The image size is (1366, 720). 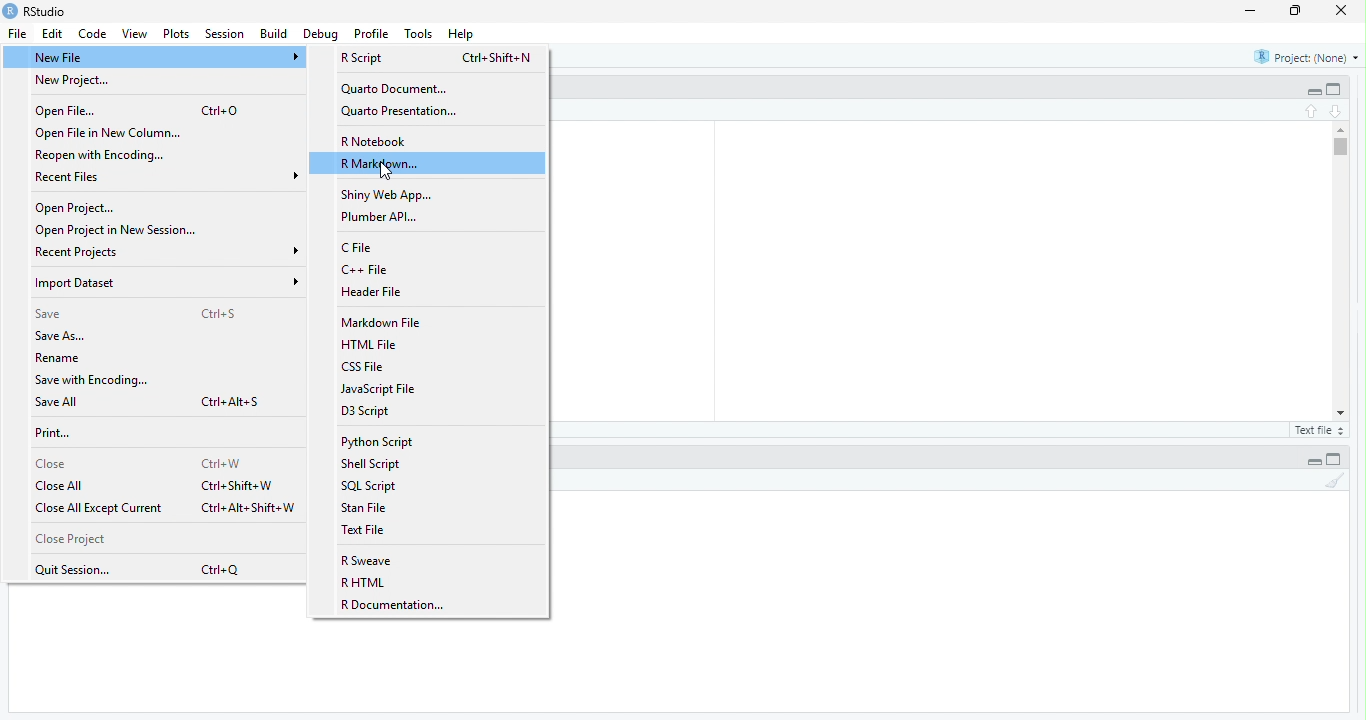 What do you see at coordinates (1253, 10) in the screenshot?
I see `minimise` at bounding box center [1253, 10].